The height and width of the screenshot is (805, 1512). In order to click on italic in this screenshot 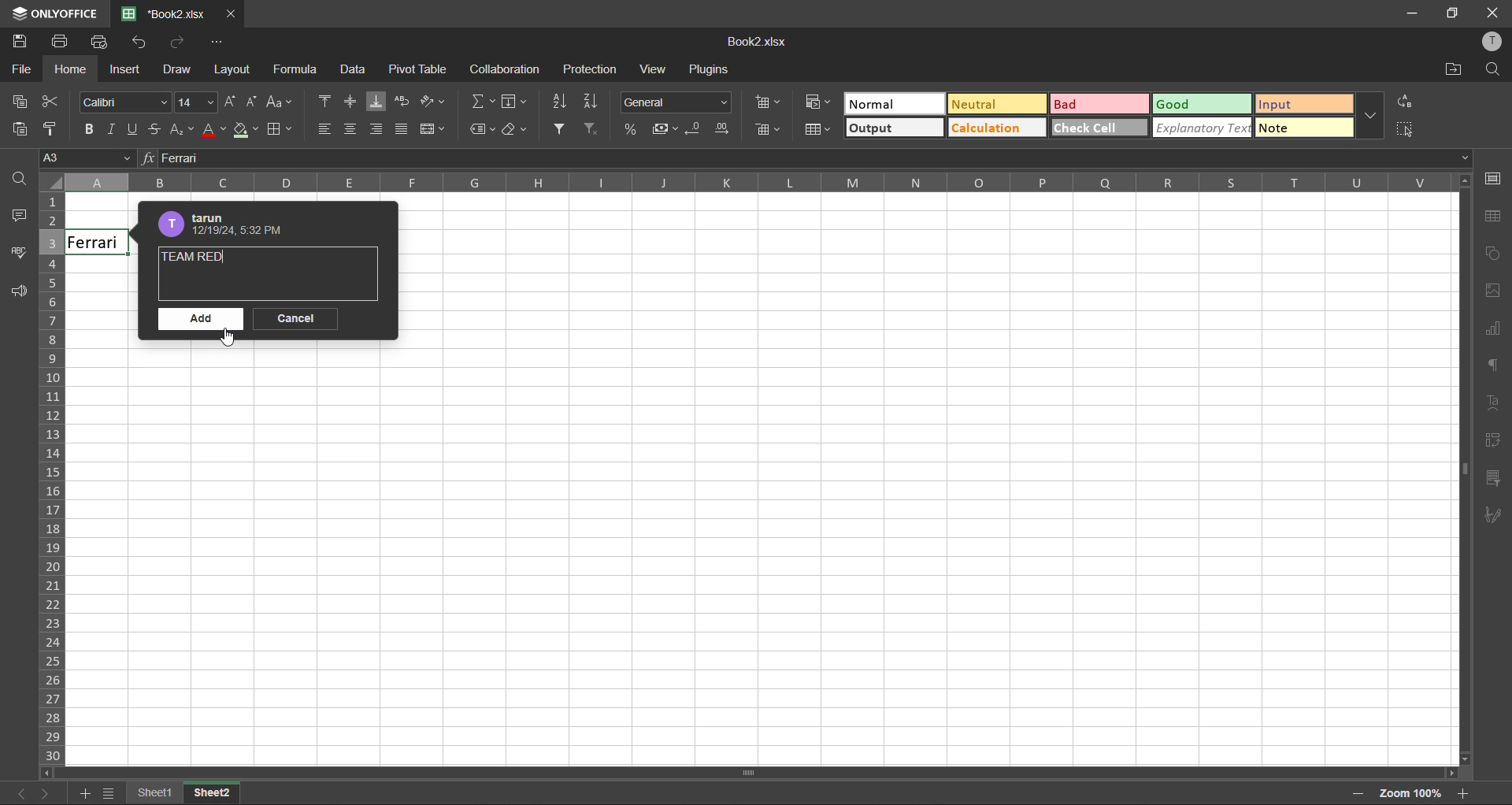, I will do `click(111, 129)`.